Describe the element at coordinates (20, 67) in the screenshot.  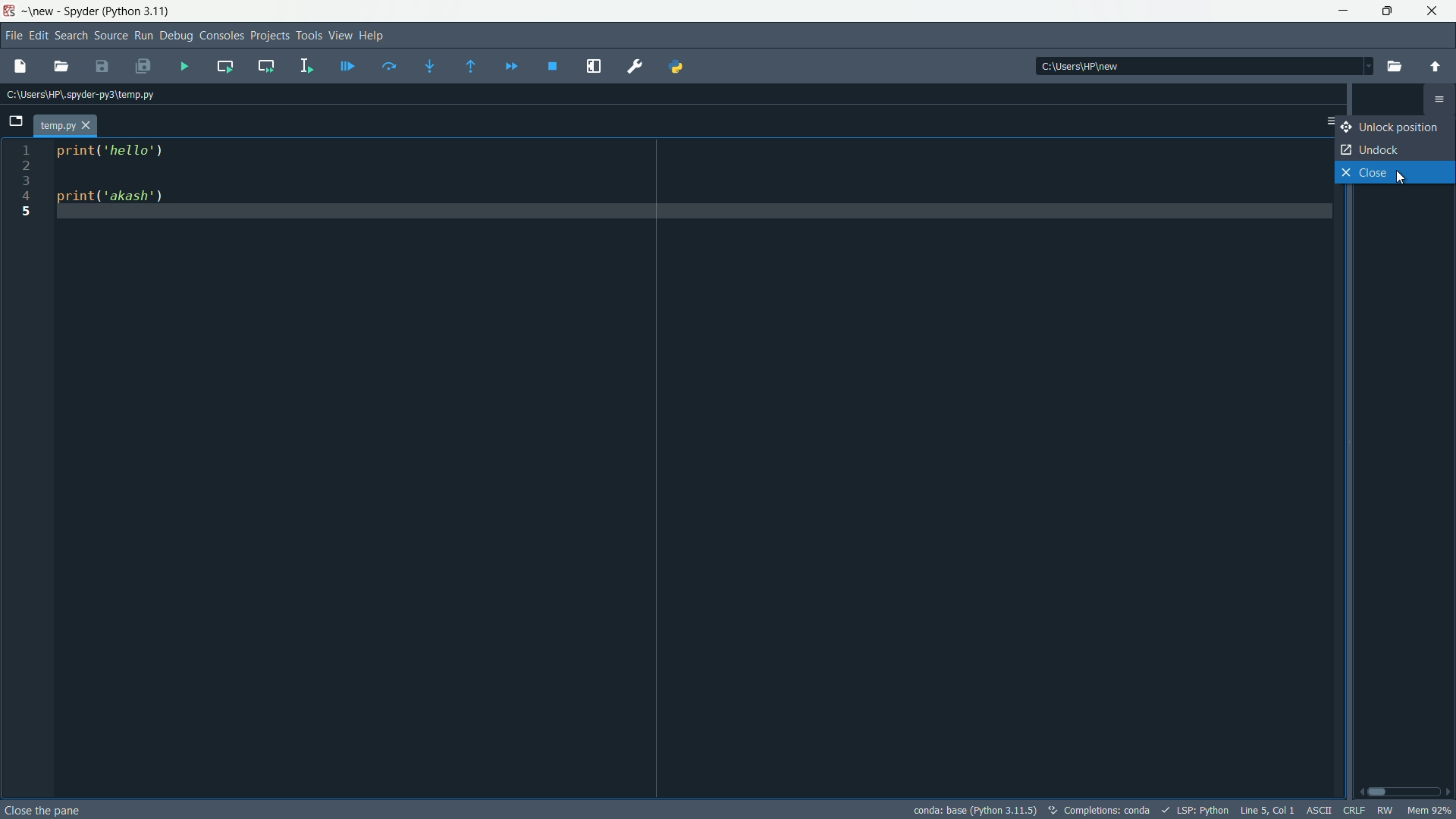
I see `new file` at that location.